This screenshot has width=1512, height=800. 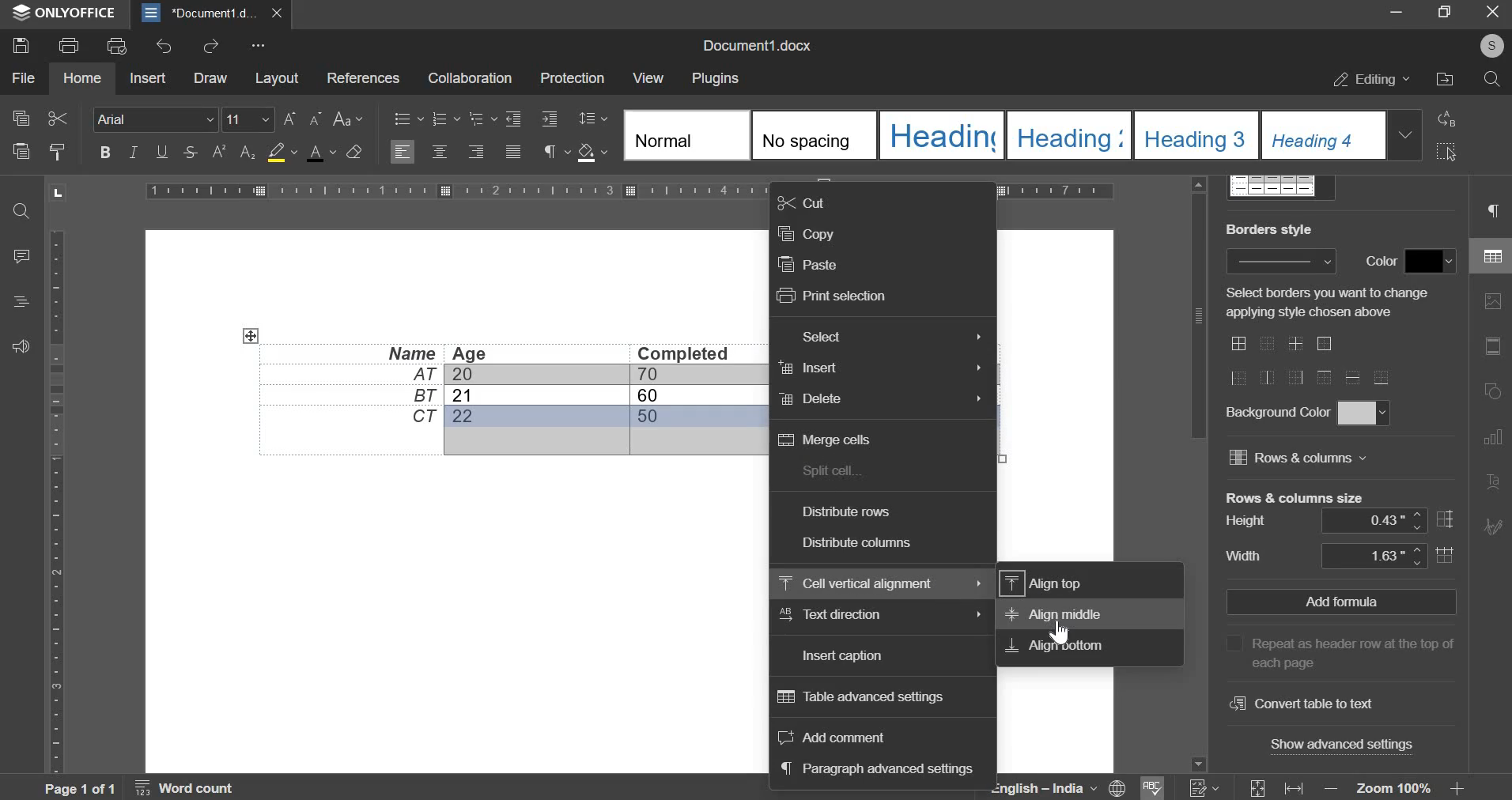 I want to click on height, so click(x=1381, y=520).